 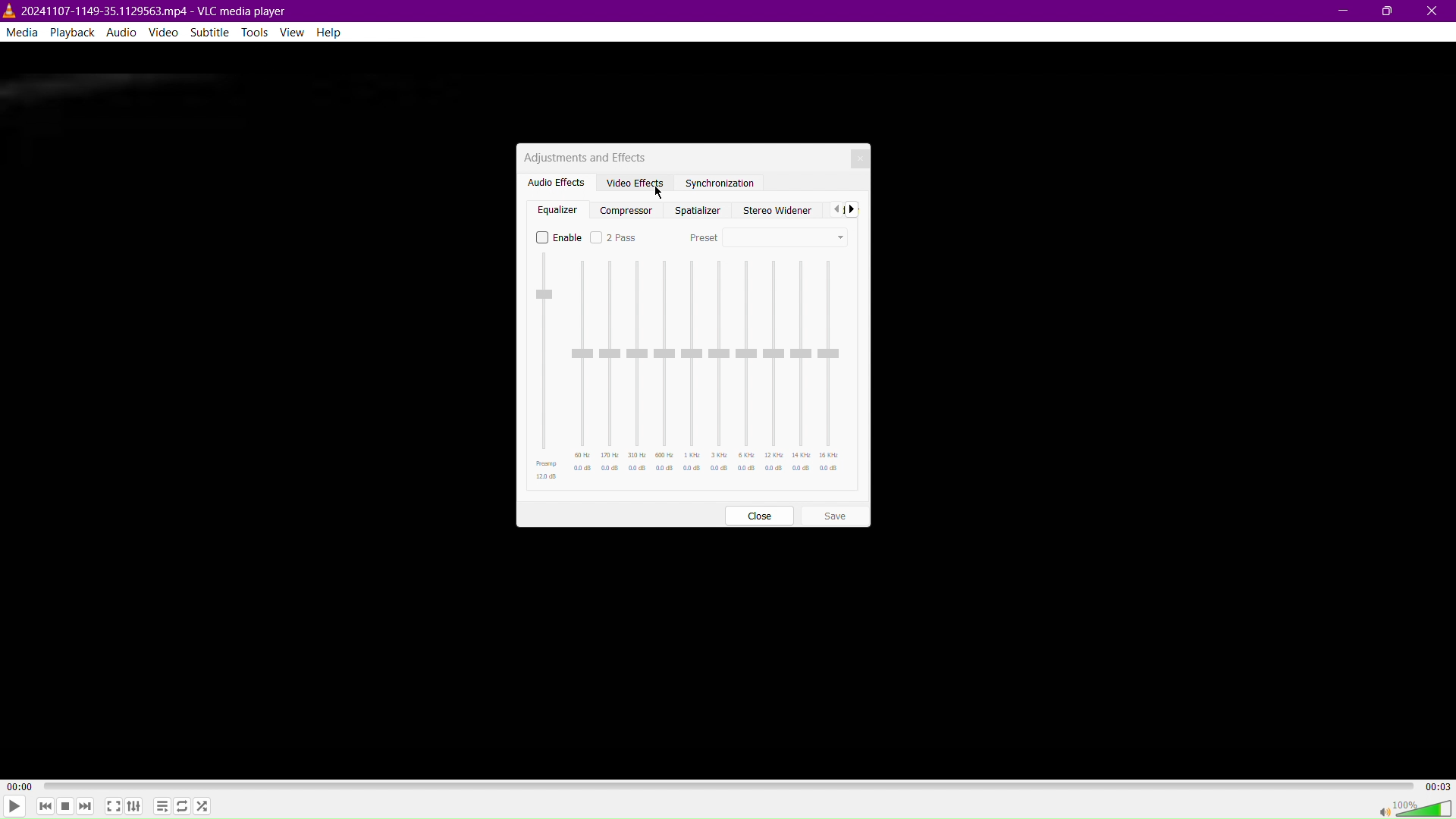 What do you see at coordinates (774, 209) in the screenshot?
I see `Stereo Widener` at bounding box center [774, 209].